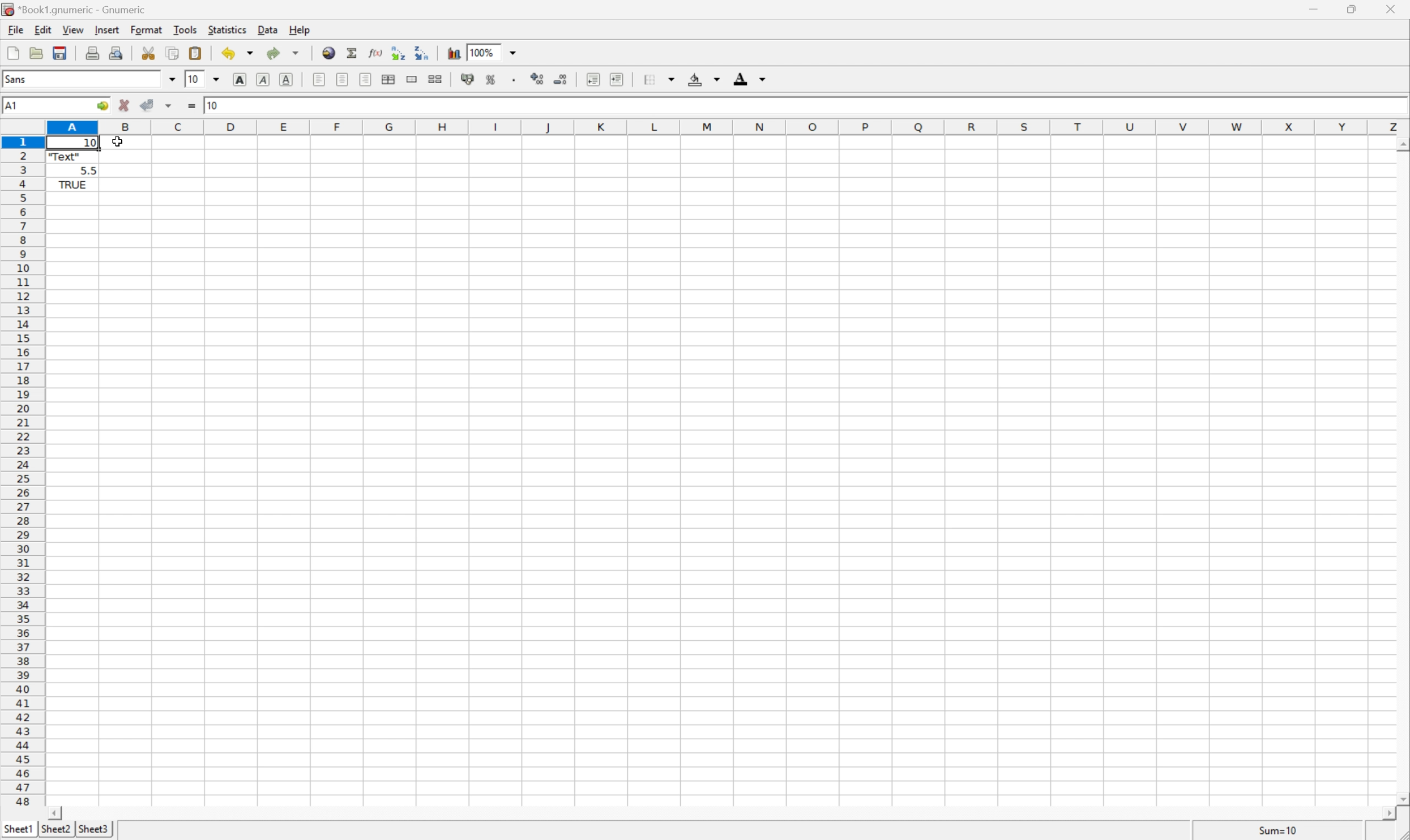 The height and width of the screenshot is (840, 1410). I want to click on Set the format of the selected cells to include a thousands separator, so click(514, 80).